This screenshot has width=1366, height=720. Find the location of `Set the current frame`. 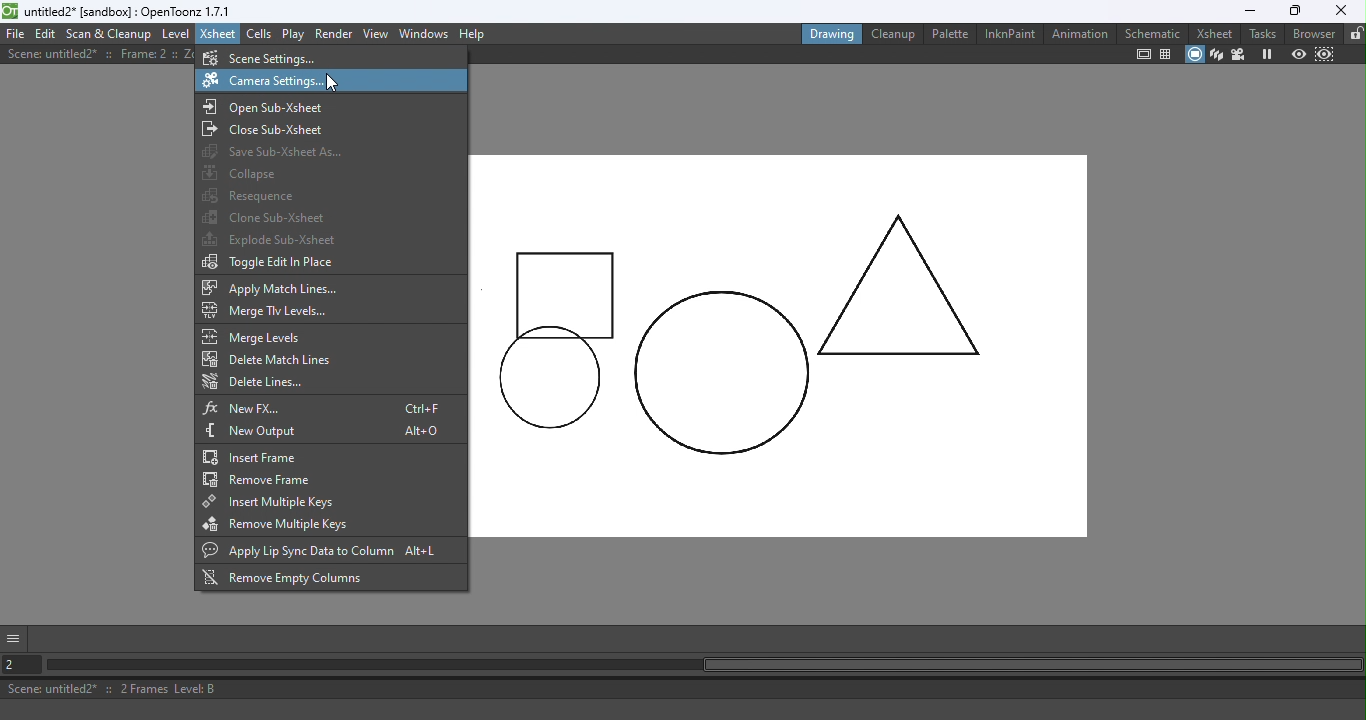

Set the current frame is located at coordinates (23, 663).